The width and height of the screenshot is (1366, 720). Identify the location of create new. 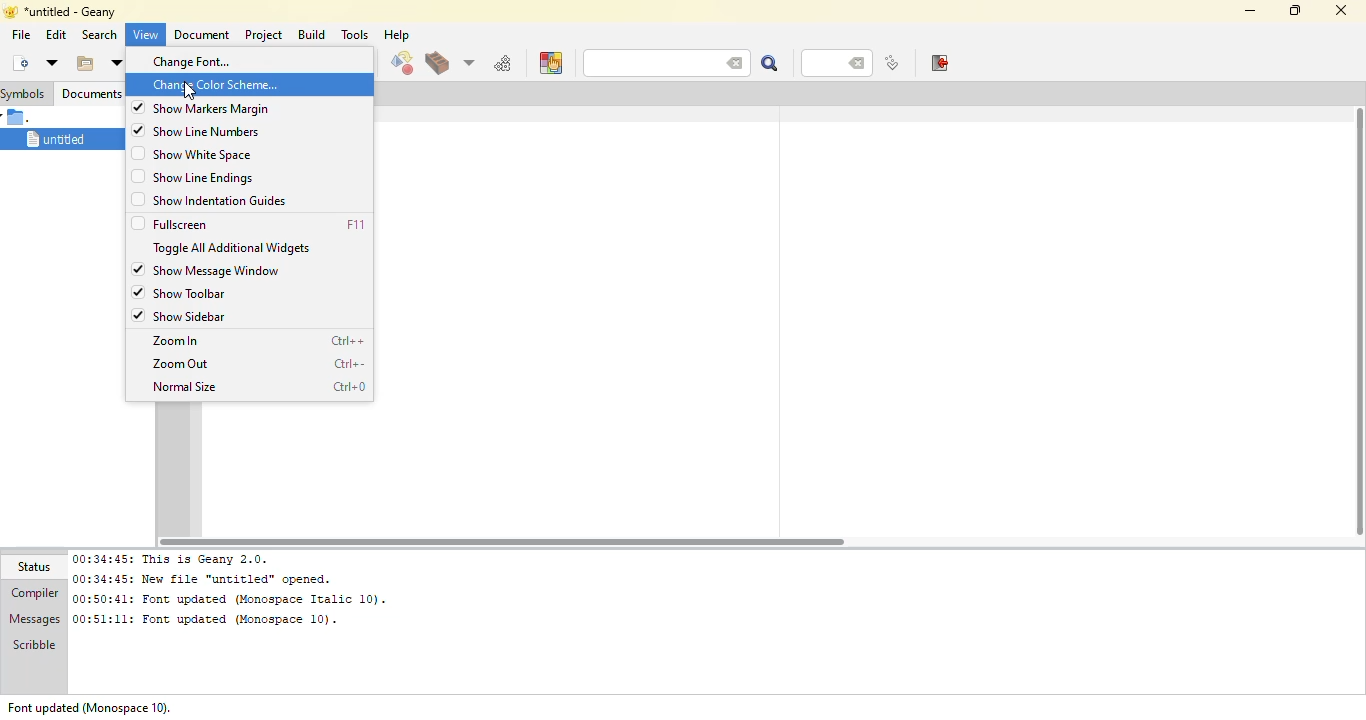
(19, 62).